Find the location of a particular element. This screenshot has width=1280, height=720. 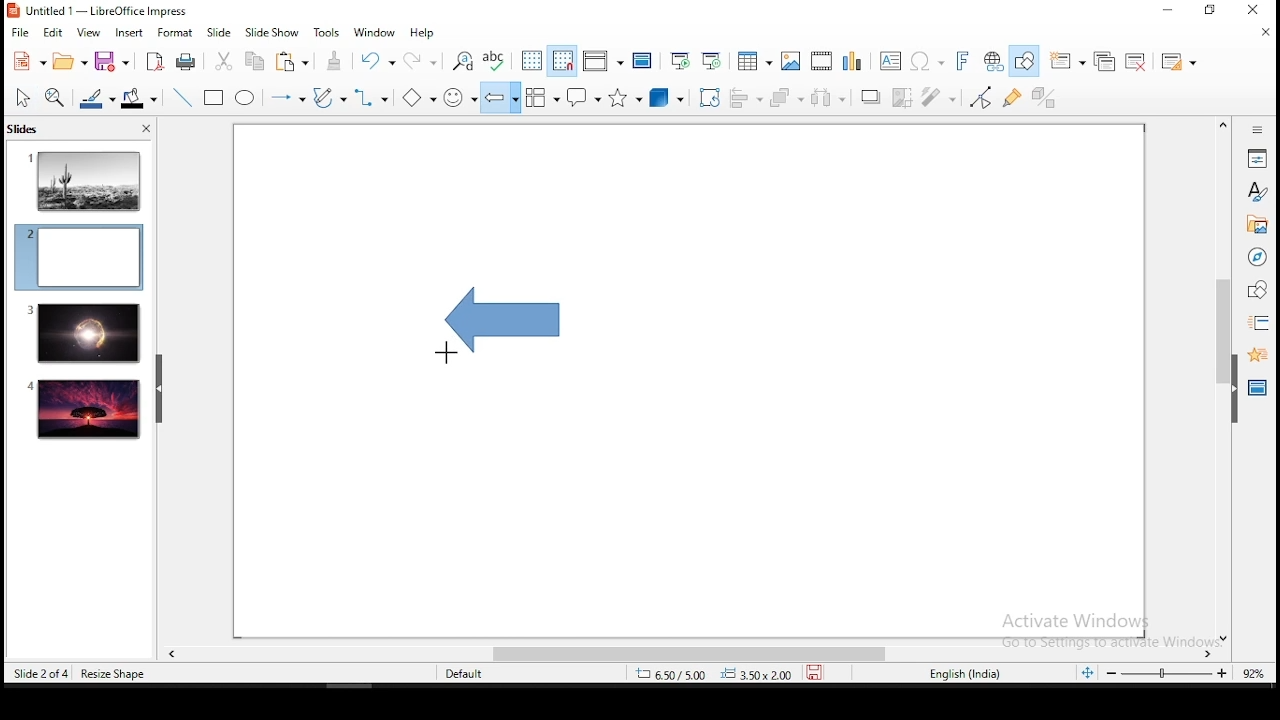

slides is located at coordinates (26, 128).